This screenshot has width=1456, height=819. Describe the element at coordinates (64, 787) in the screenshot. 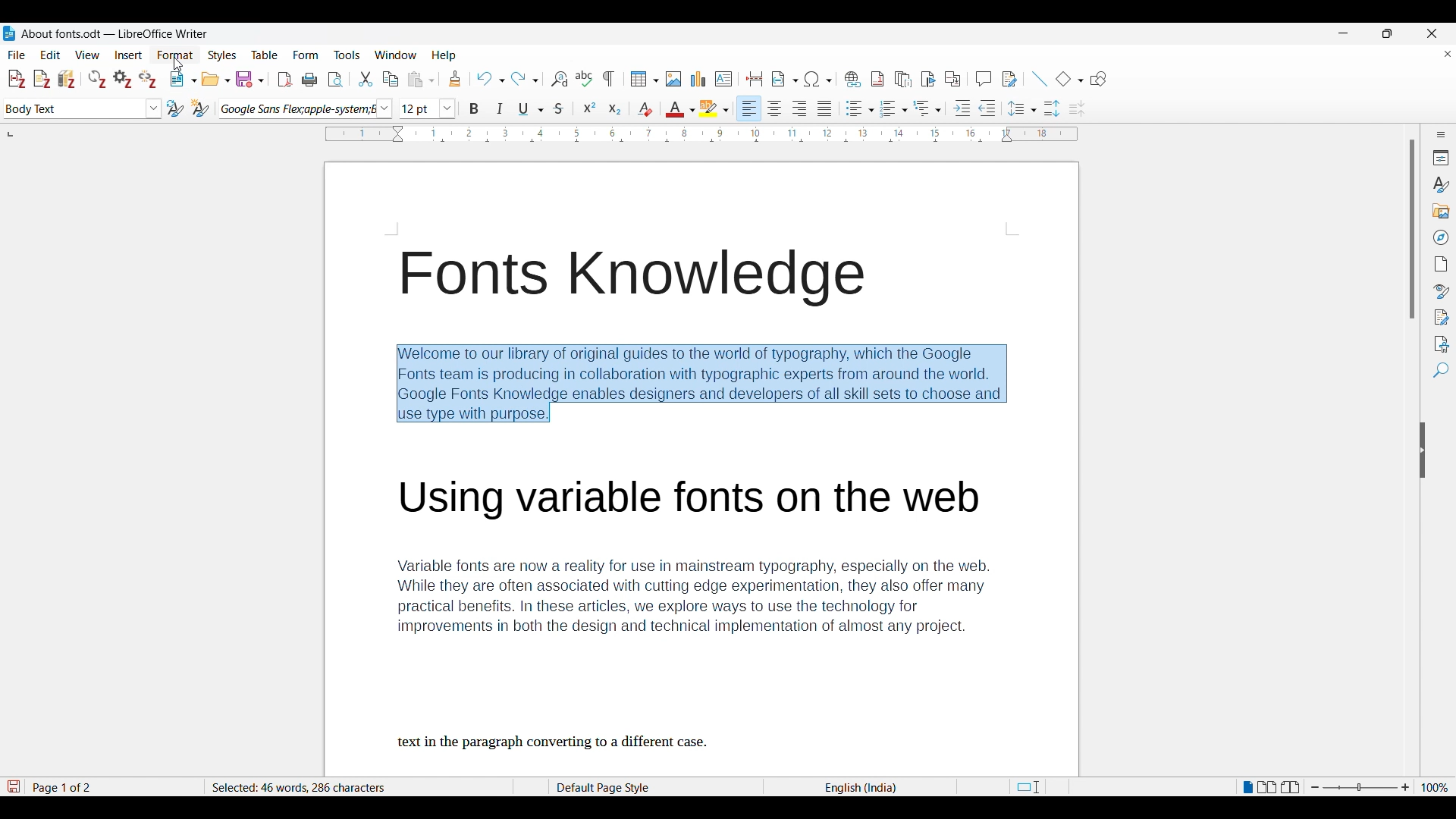

I see `Current page out of total pages` at that location.